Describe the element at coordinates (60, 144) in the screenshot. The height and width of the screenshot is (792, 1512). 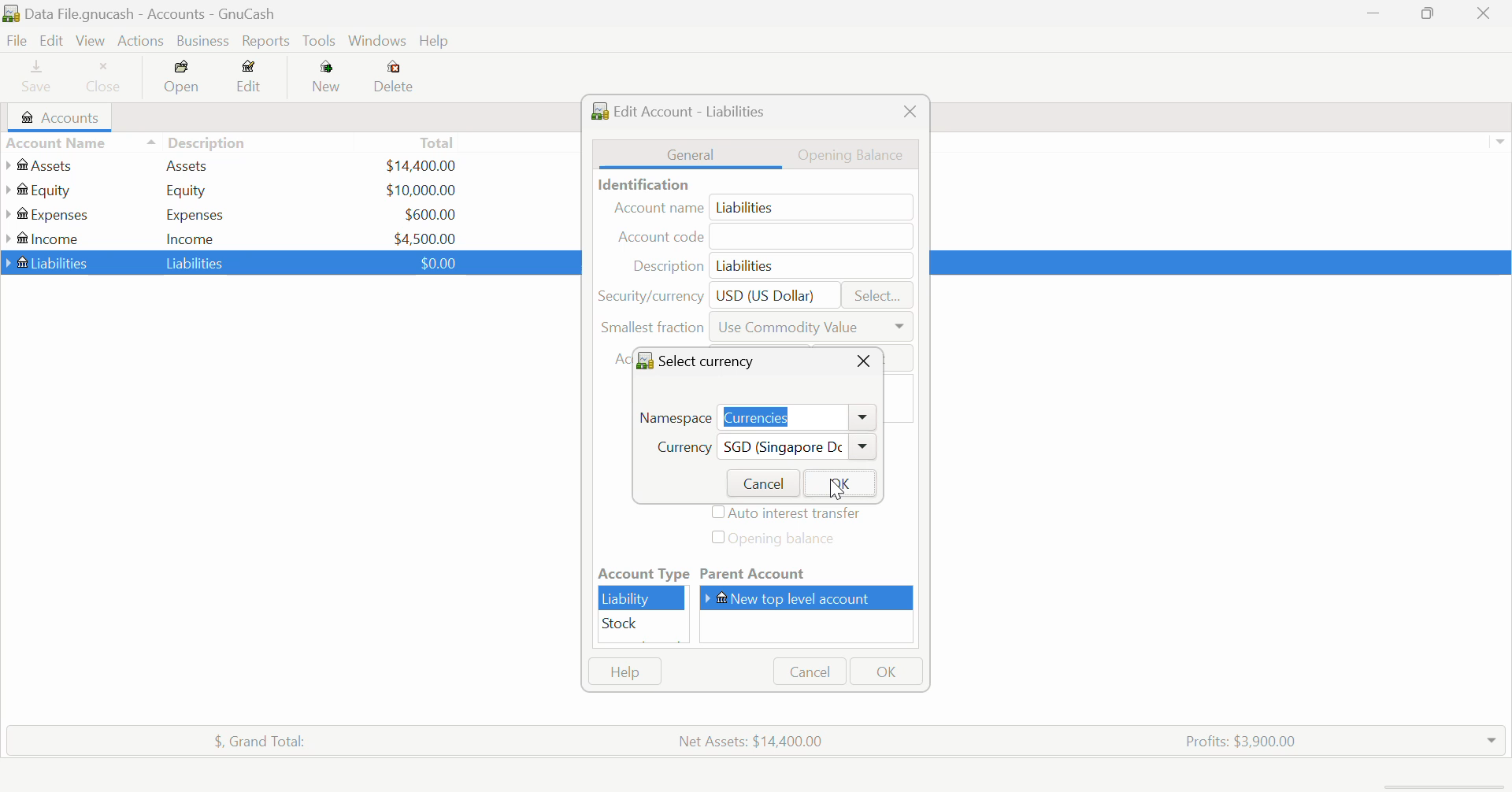
I see `Account Column Heading` at that location.